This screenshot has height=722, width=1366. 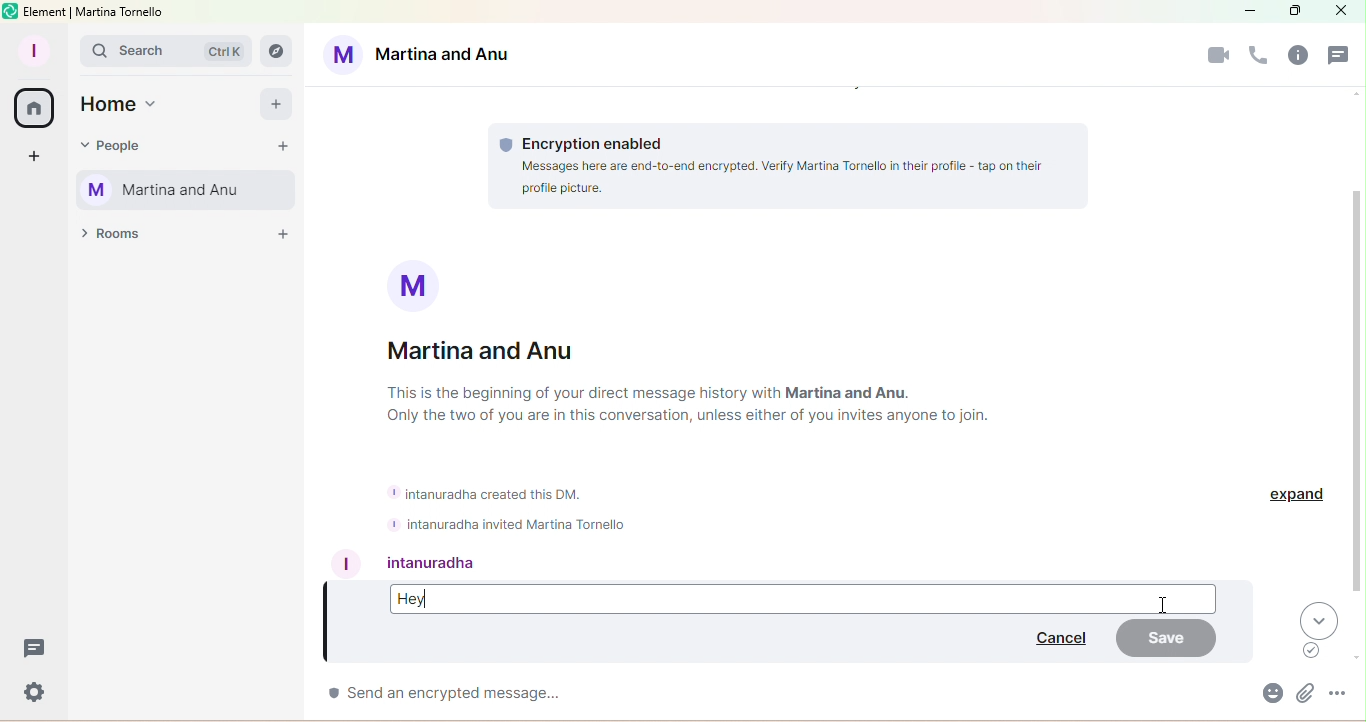 What do you see at coordinates (276, 104) in the screenshot?
I see `Add` at bounding box center [276, 104].